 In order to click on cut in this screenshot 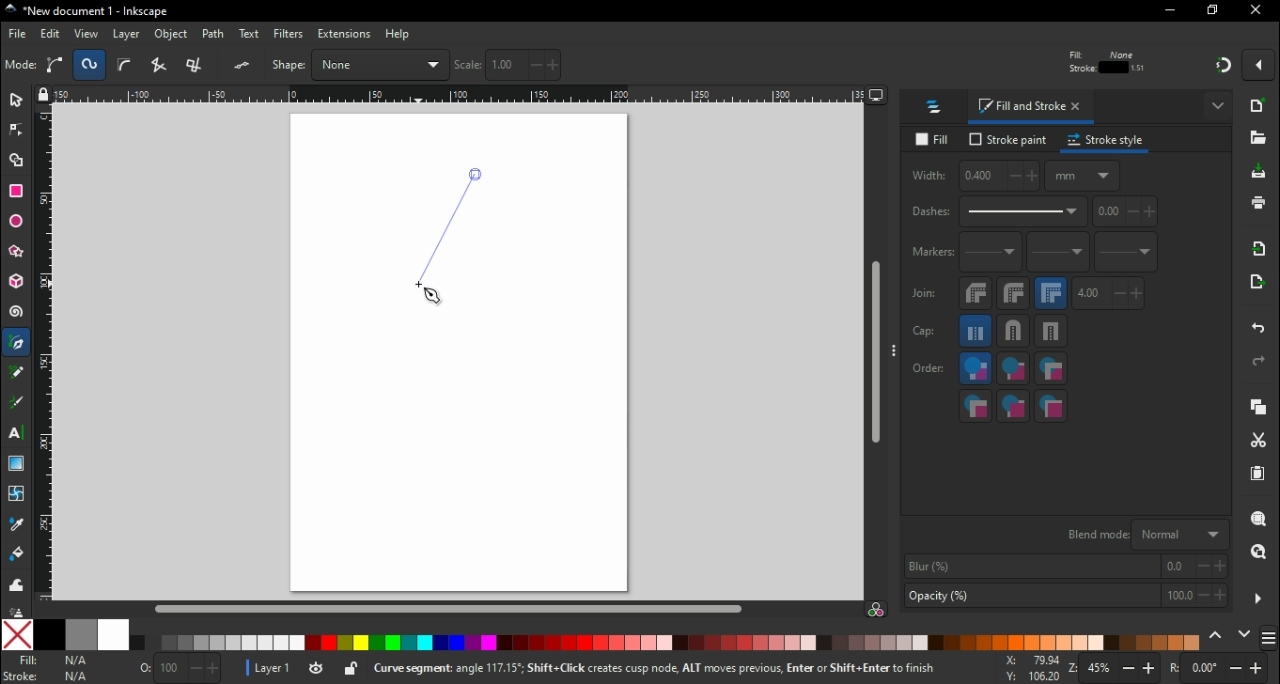, I will do `click(1260, 442)`.